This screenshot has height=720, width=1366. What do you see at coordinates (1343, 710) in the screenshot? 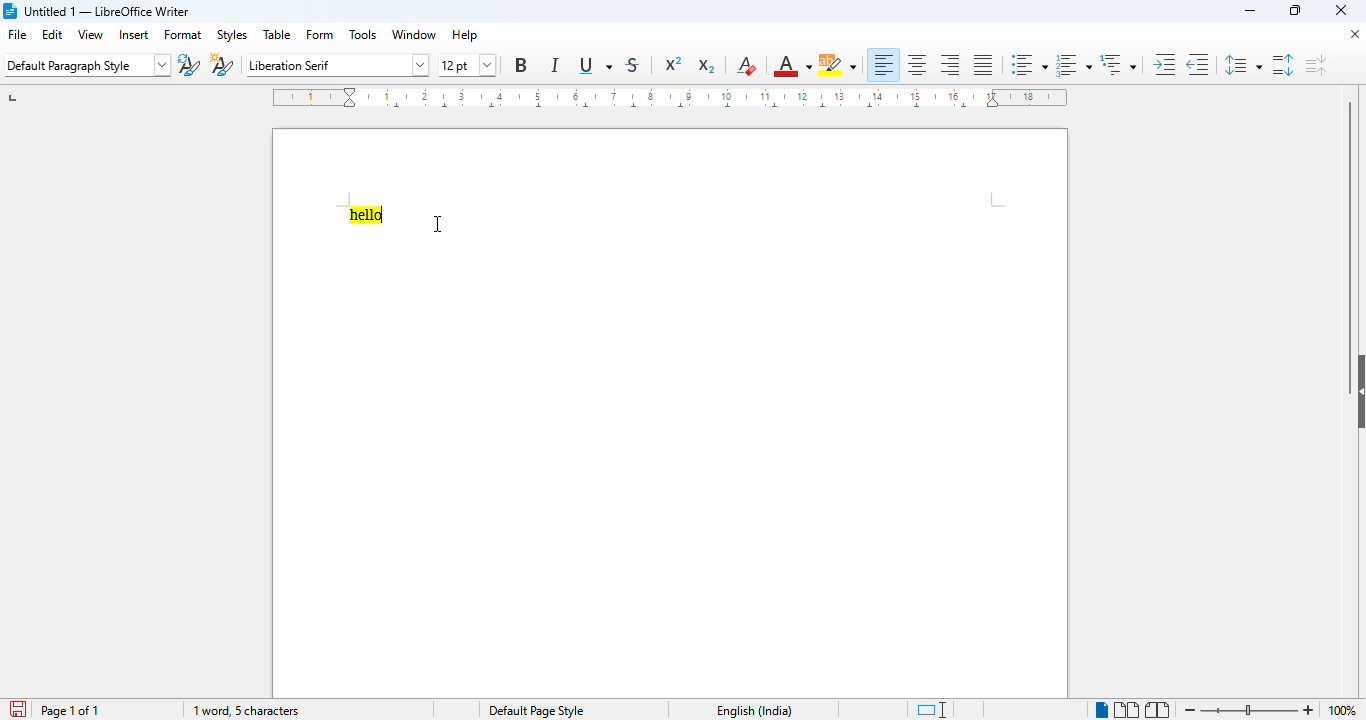
I see `zoom factor` at bounding box center [1343, 710].